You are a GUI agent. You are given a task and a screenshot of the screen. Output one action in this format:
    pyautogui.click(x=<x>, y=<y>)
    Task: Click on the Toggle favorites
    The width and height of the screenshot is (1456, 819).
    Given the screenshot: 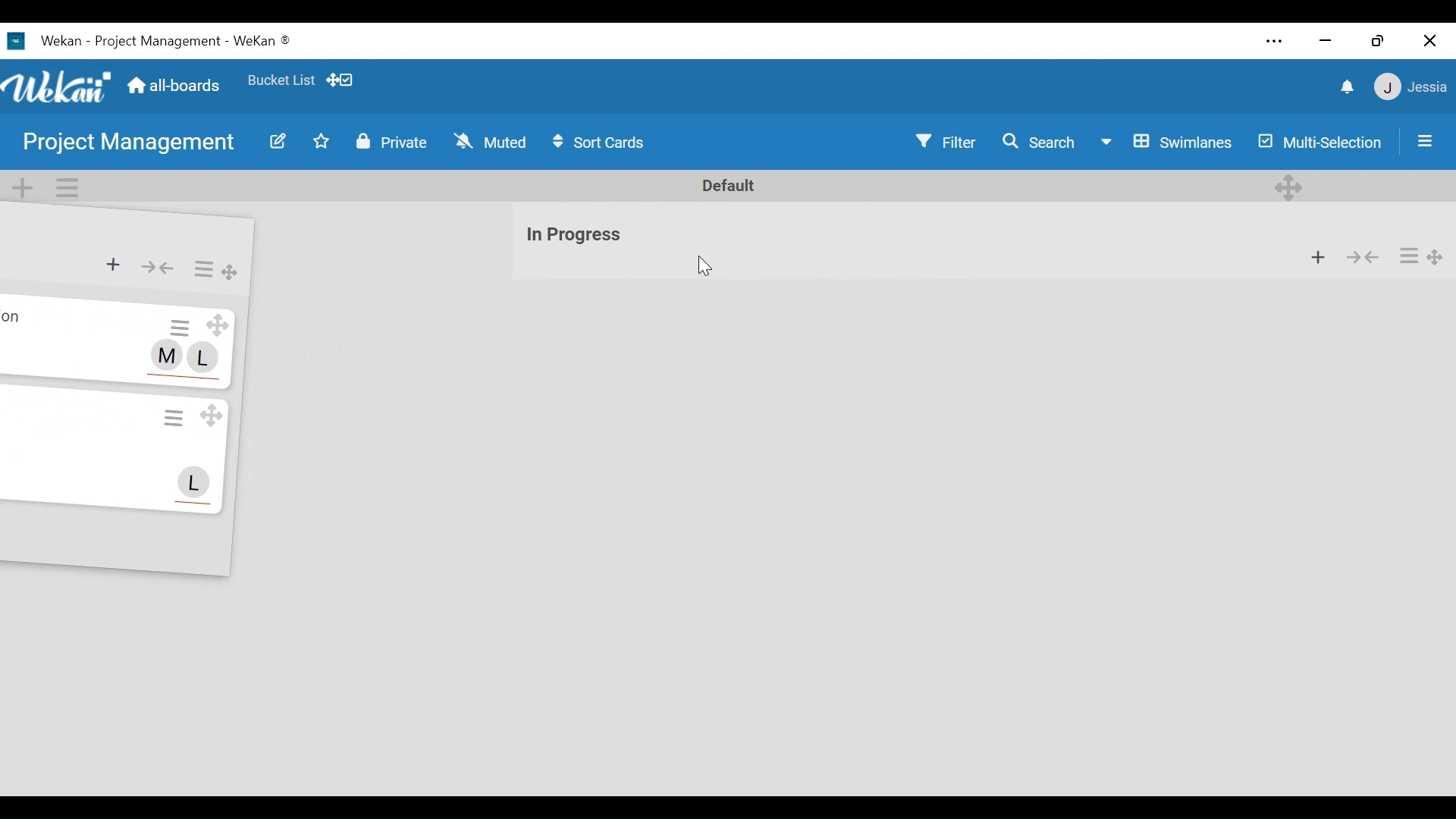 What is the action you would take?
    pyautogui.click(x=320, y=142)
    